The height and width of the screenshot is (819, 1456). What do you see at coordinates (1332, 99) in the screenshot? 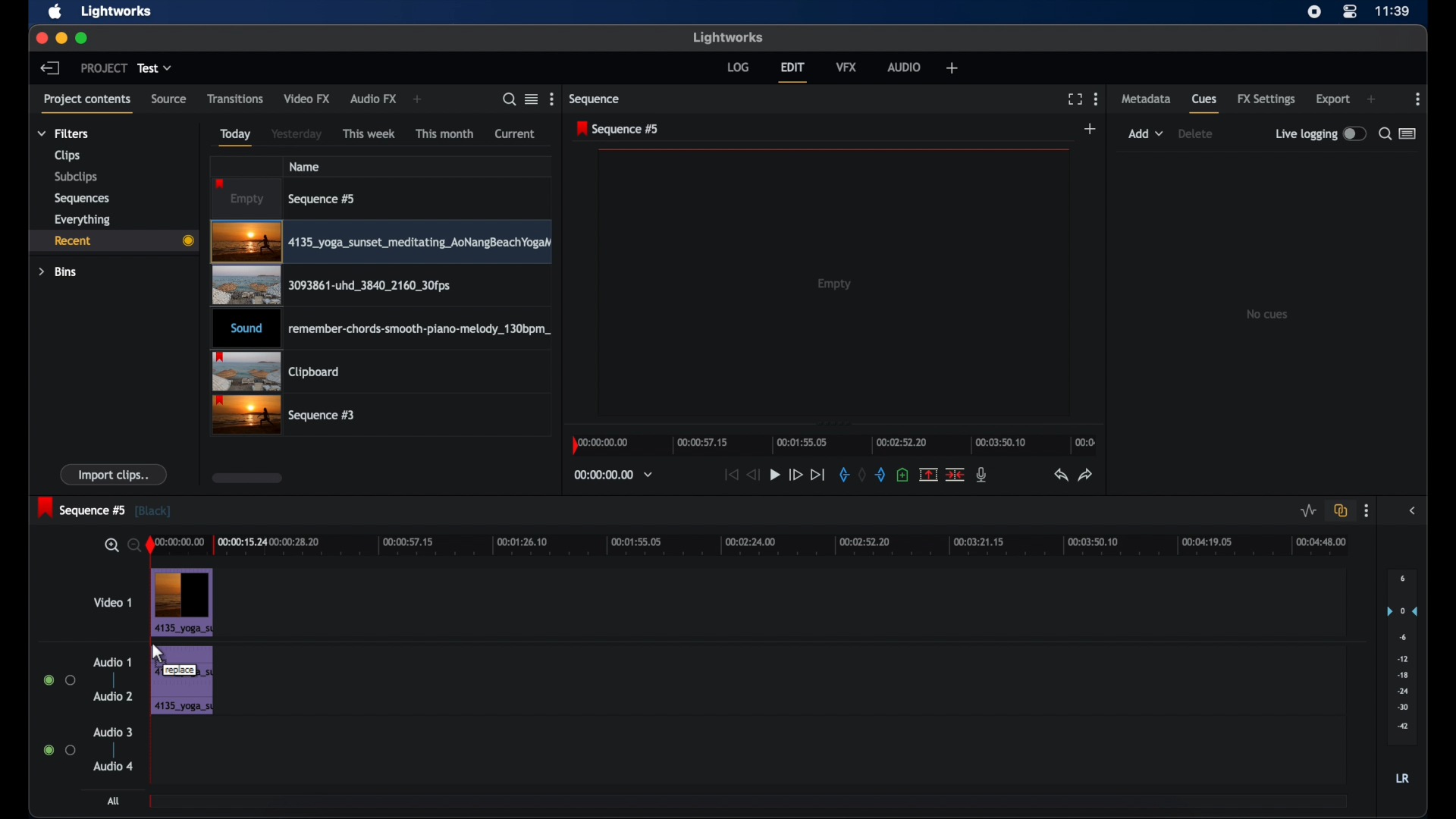
I see `export` at bounding box center [1332, 99].